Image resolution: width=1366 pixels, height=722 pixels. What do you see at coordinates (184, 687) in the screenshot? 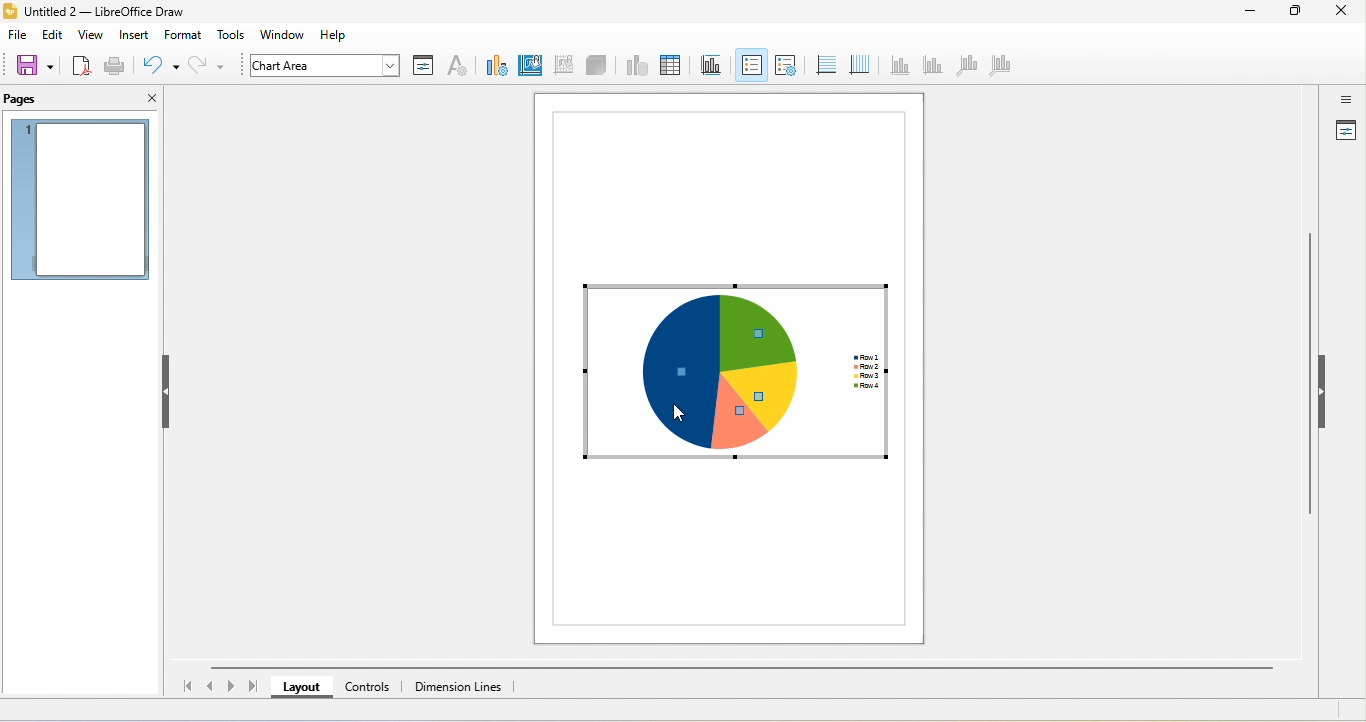
I see `first` at bounding box center [184, 687].